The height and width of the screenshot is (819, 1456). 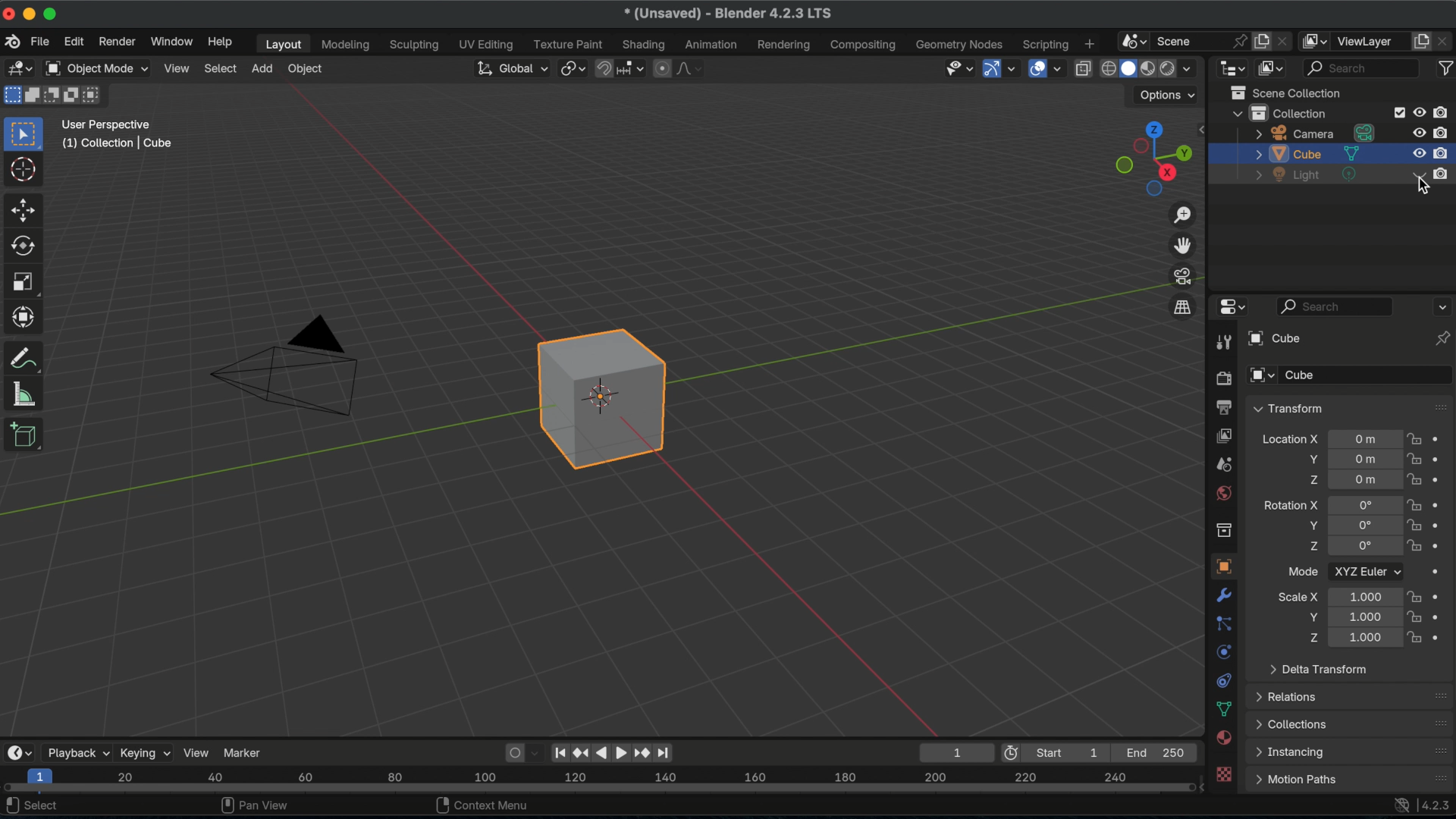 I want to click on online access, so click(x=1398, y=805).